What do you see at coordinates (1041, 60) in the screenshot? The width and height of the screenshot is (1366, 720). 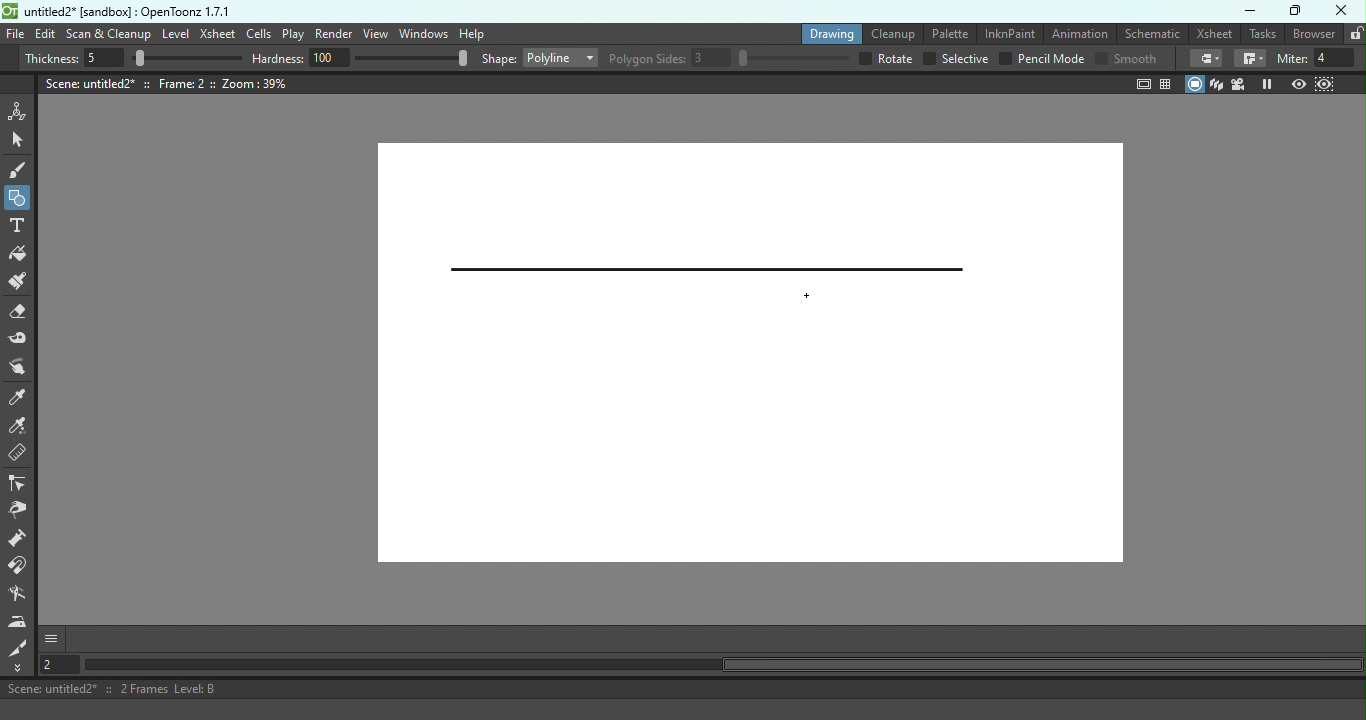 I see `Pencil Mode` at bounding box center [1041, 60].